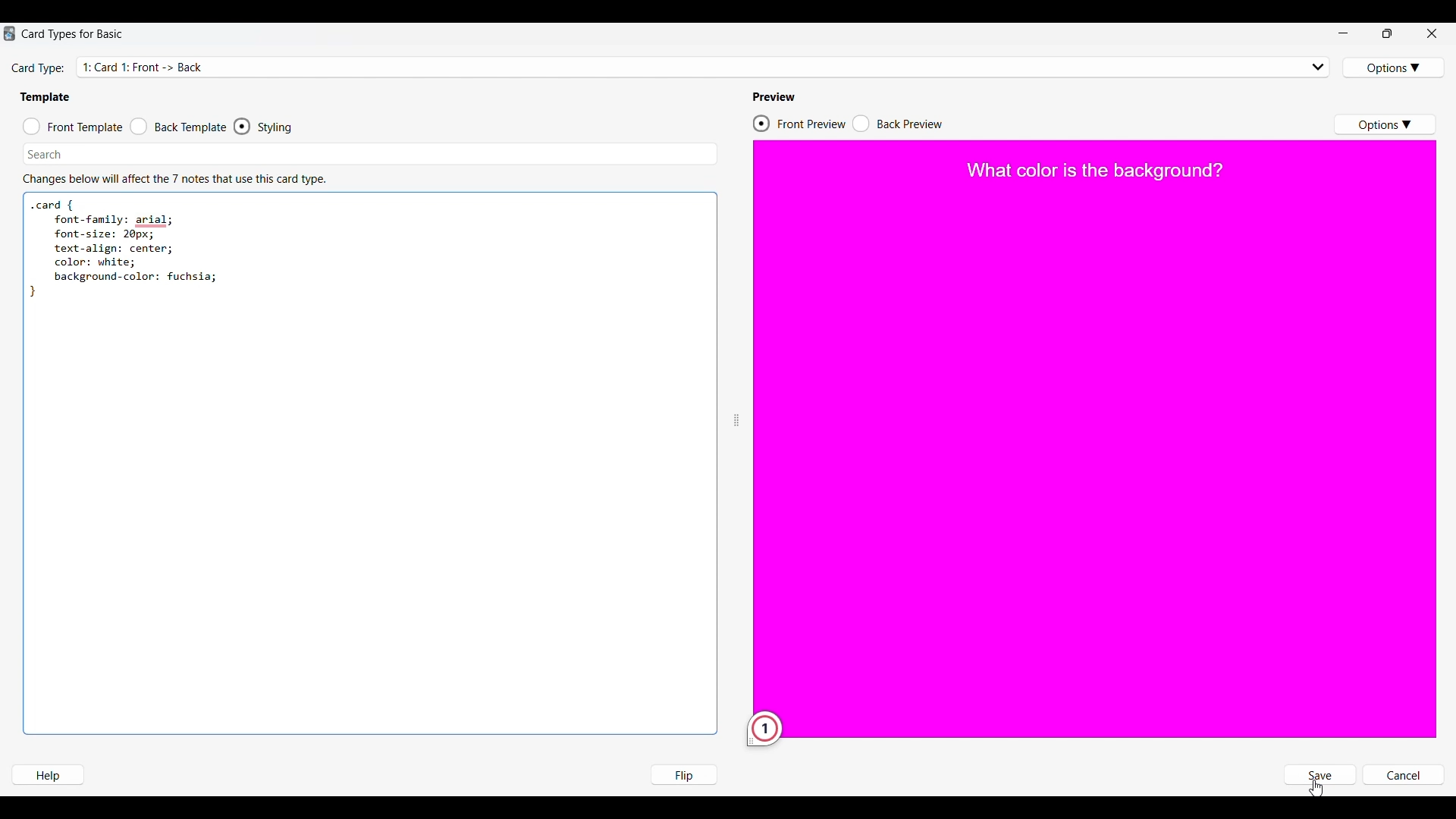 This screenshot has height=819, width=1456. I want to click on Cancel, so click(1403, 776).